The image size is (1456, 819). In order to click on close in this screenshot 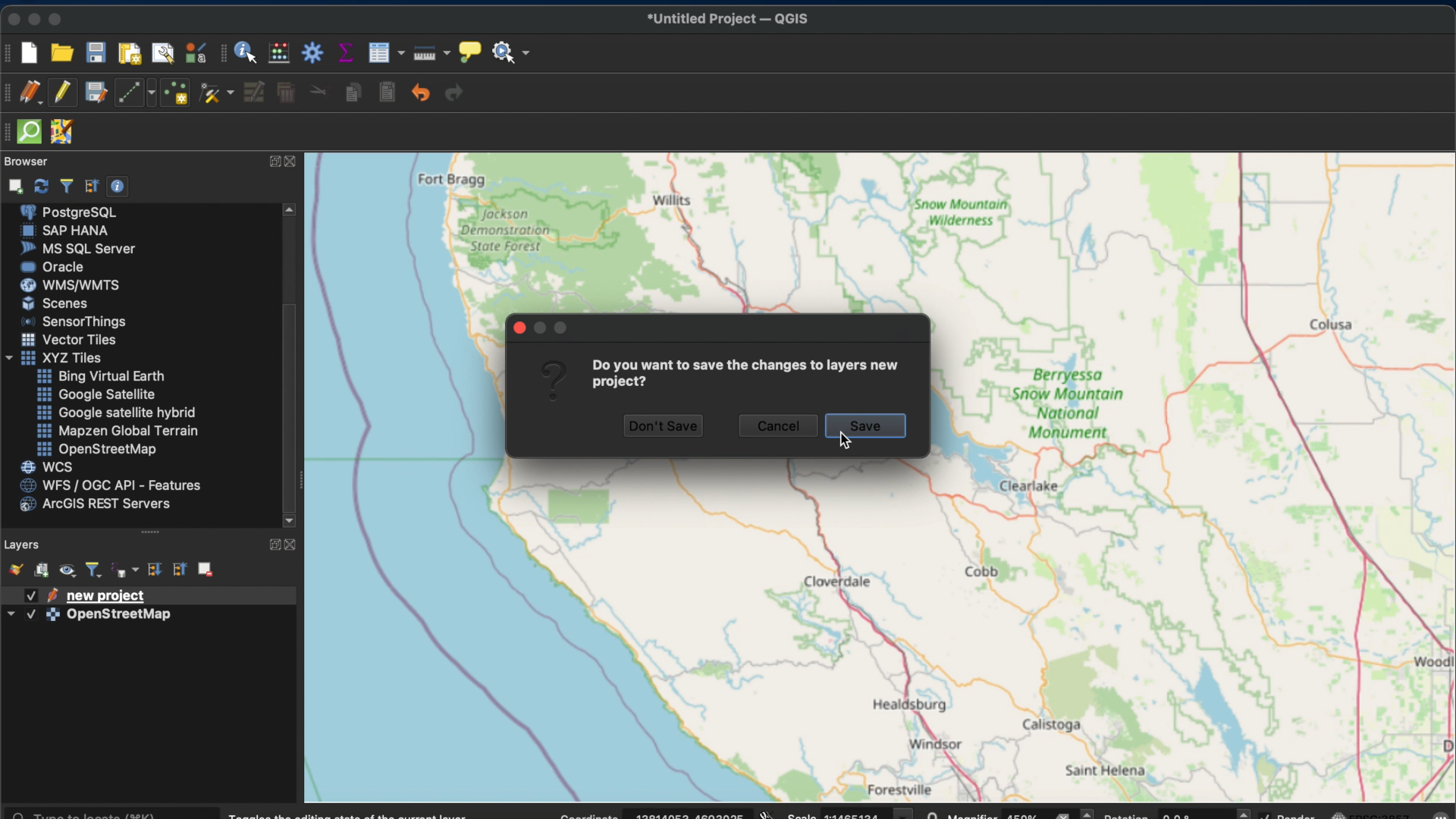, I will do `click(518, 327)`.